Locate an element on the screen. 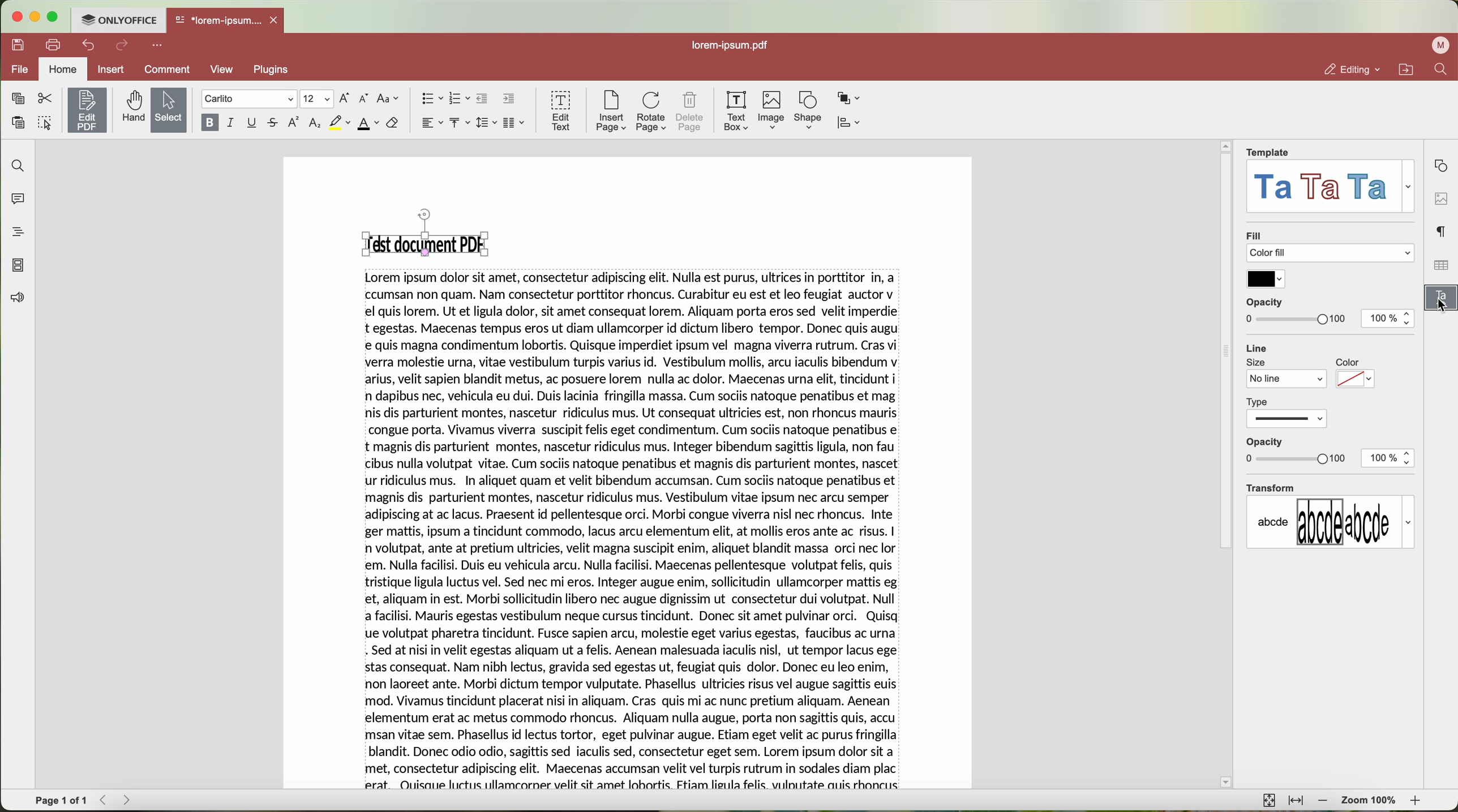 This screenshot has height=812, width=1458. 100% is located at coordinates (1390, 319).